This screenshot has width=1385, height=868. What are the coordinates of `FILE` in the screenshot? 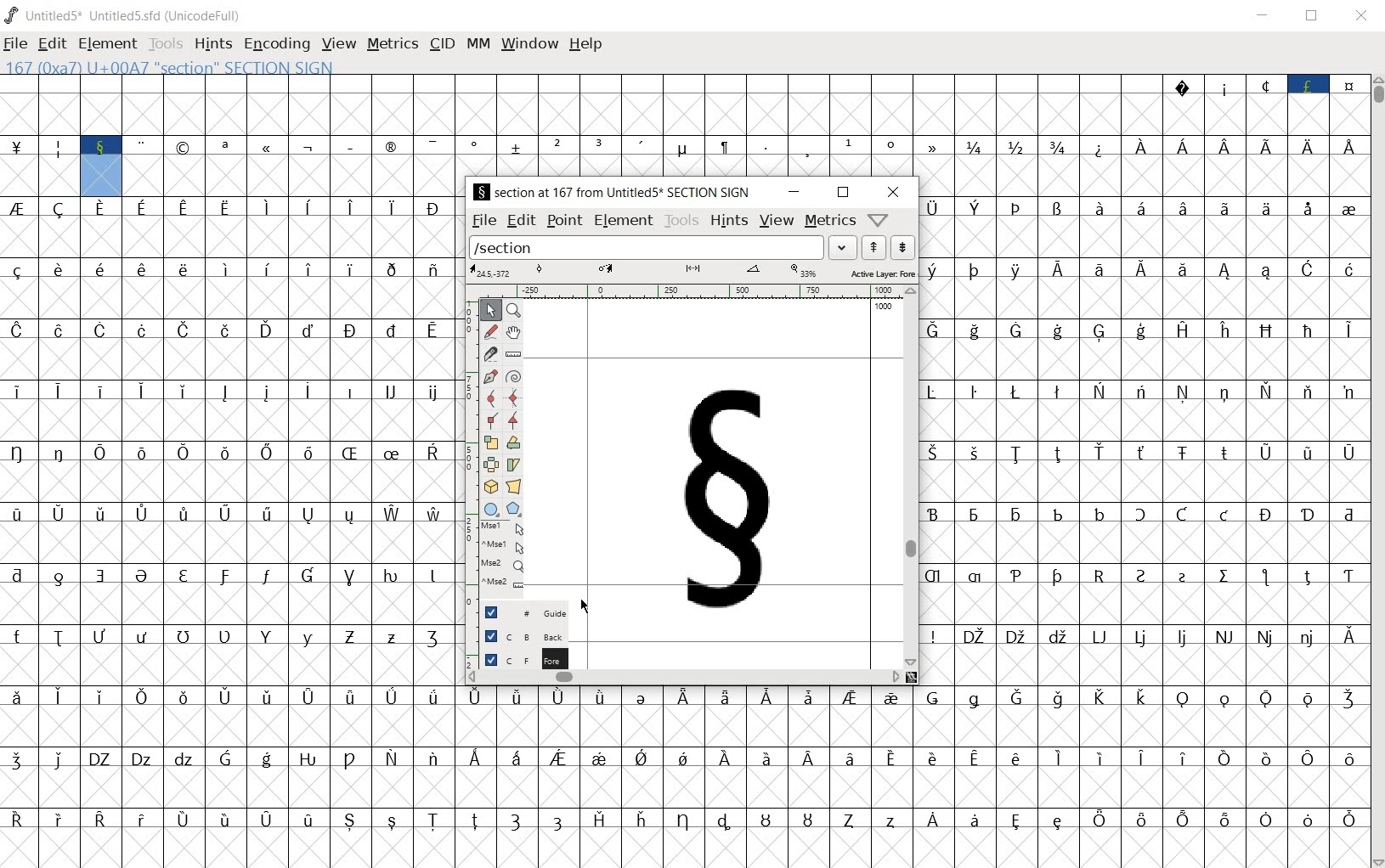 It's located at (17, 44).